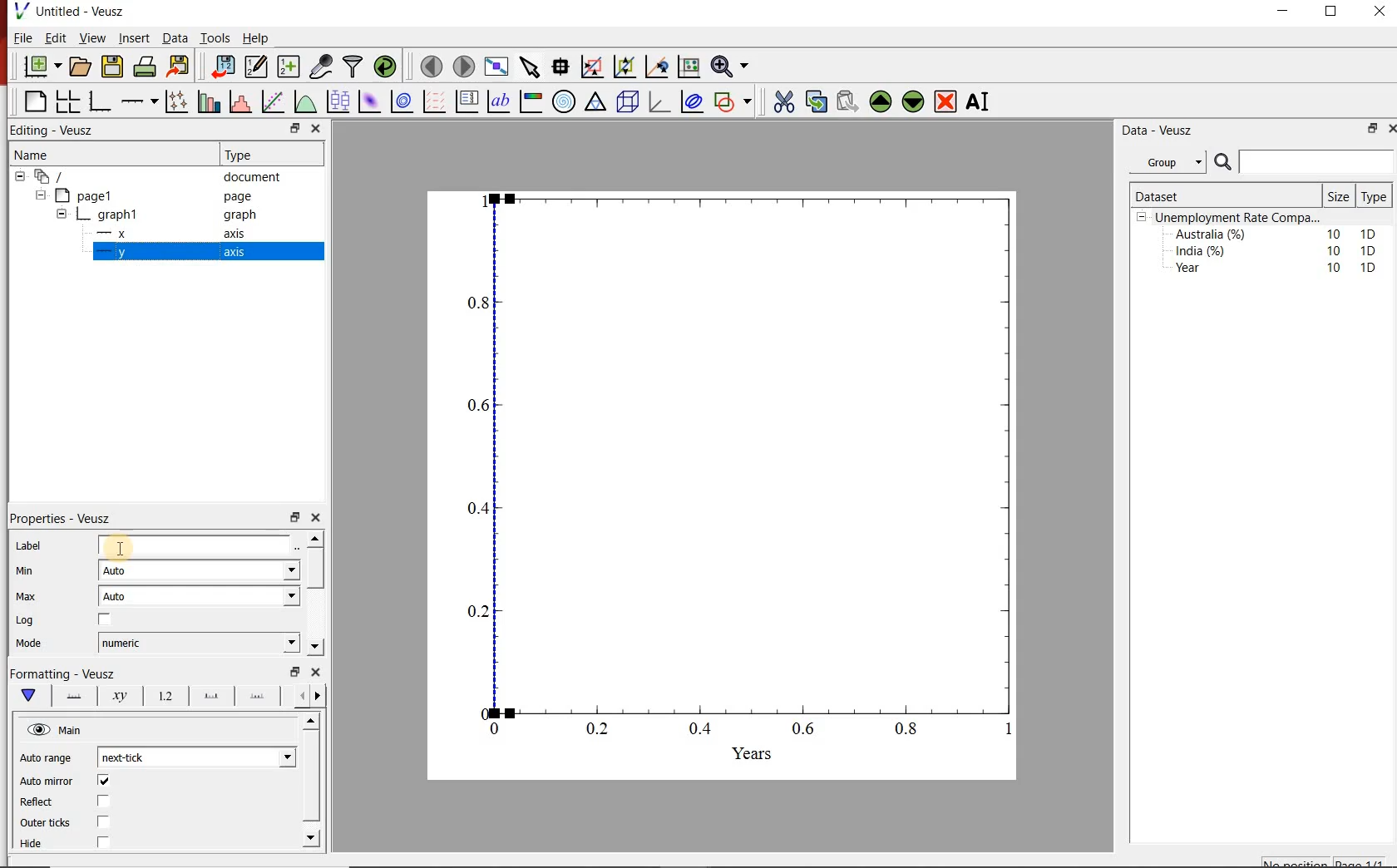 This screenshot has height=868, width=1397. Describe the element at coordinates (133, 37) in the screenshot. I see `Insert` at that location.